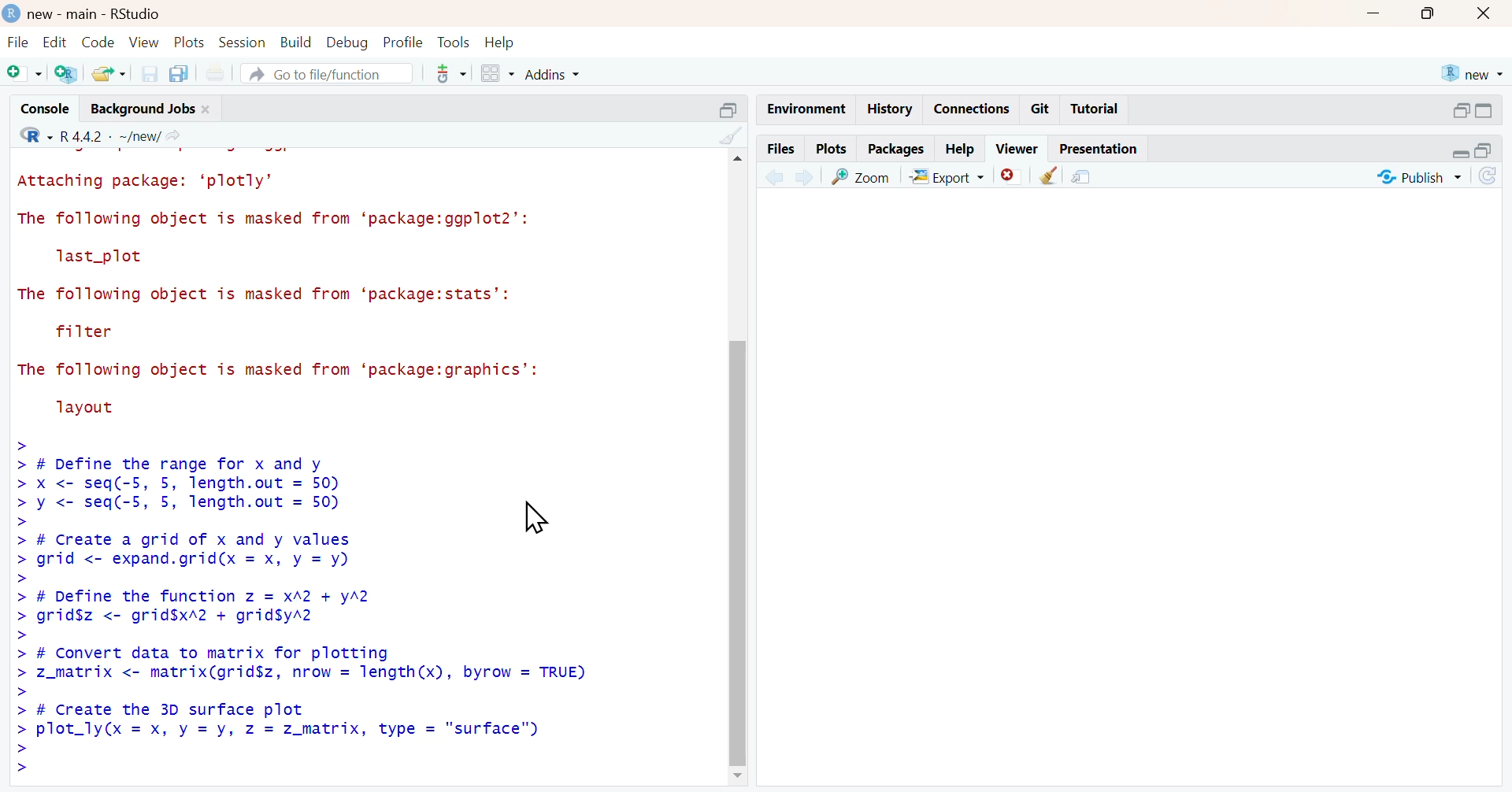 The height and width of the screenshot is (792, 1512). What do you see at coordinates (22, 579) in the screenshot?
I see `prompt cursor` at bounding box center [22, 579].